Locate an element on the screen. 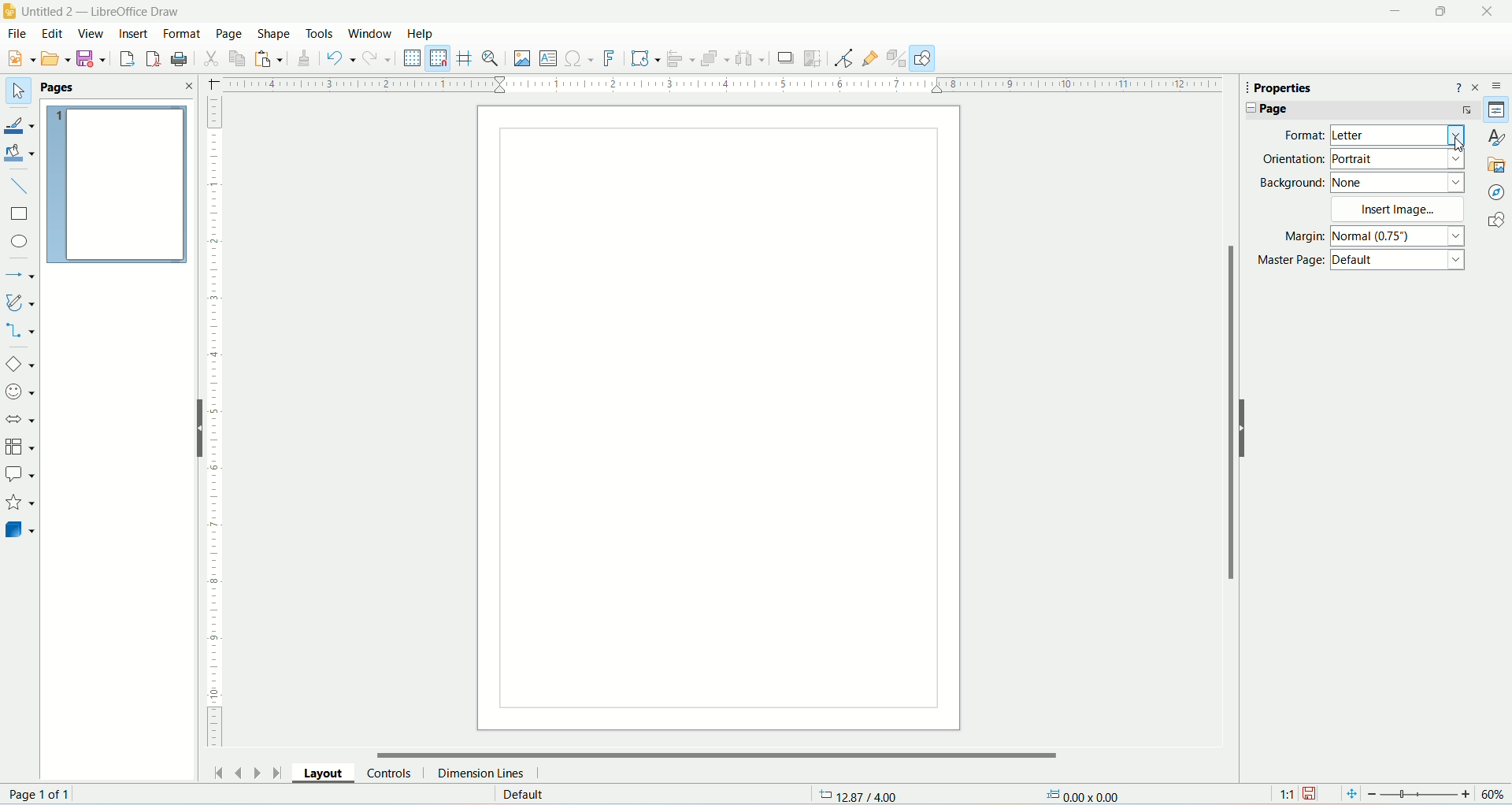  logo is located at coordinates (10, 12).